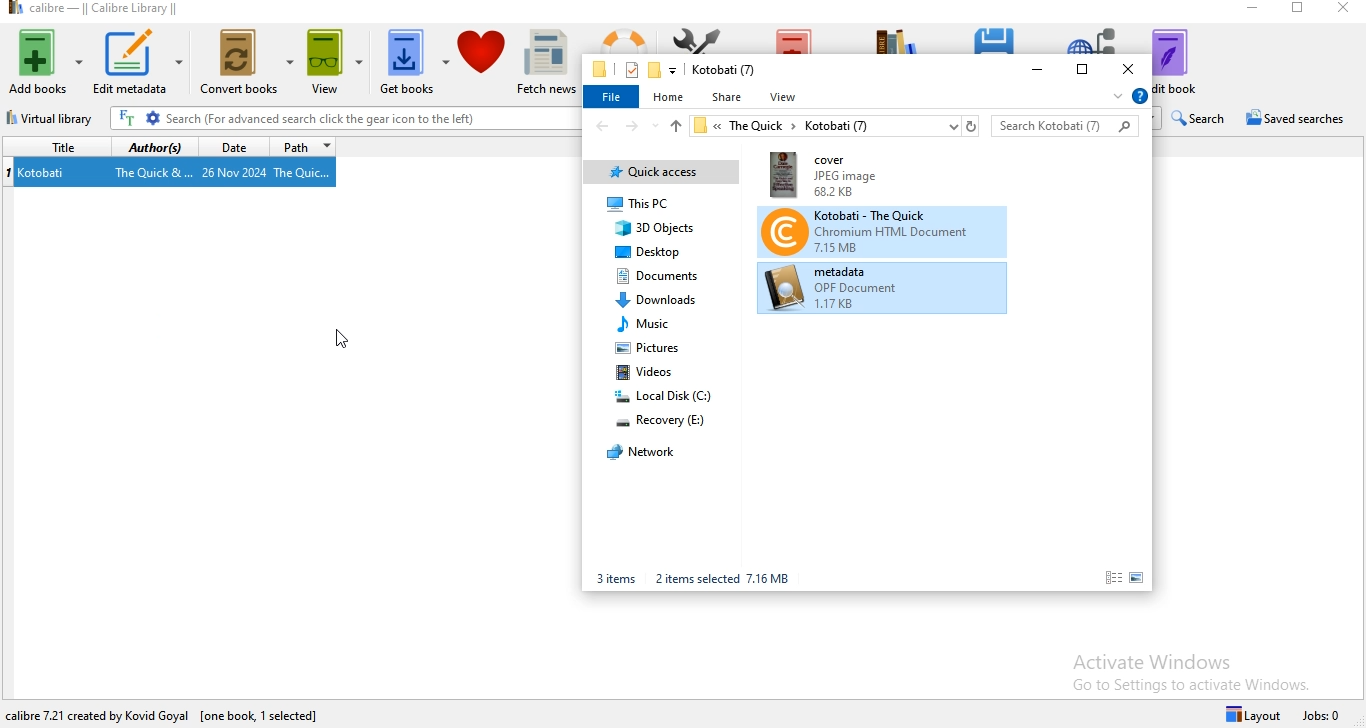  What do you see at coordinates (649, 205) in the screenshot?
I see `This PC` at bounding box center [649, 205].